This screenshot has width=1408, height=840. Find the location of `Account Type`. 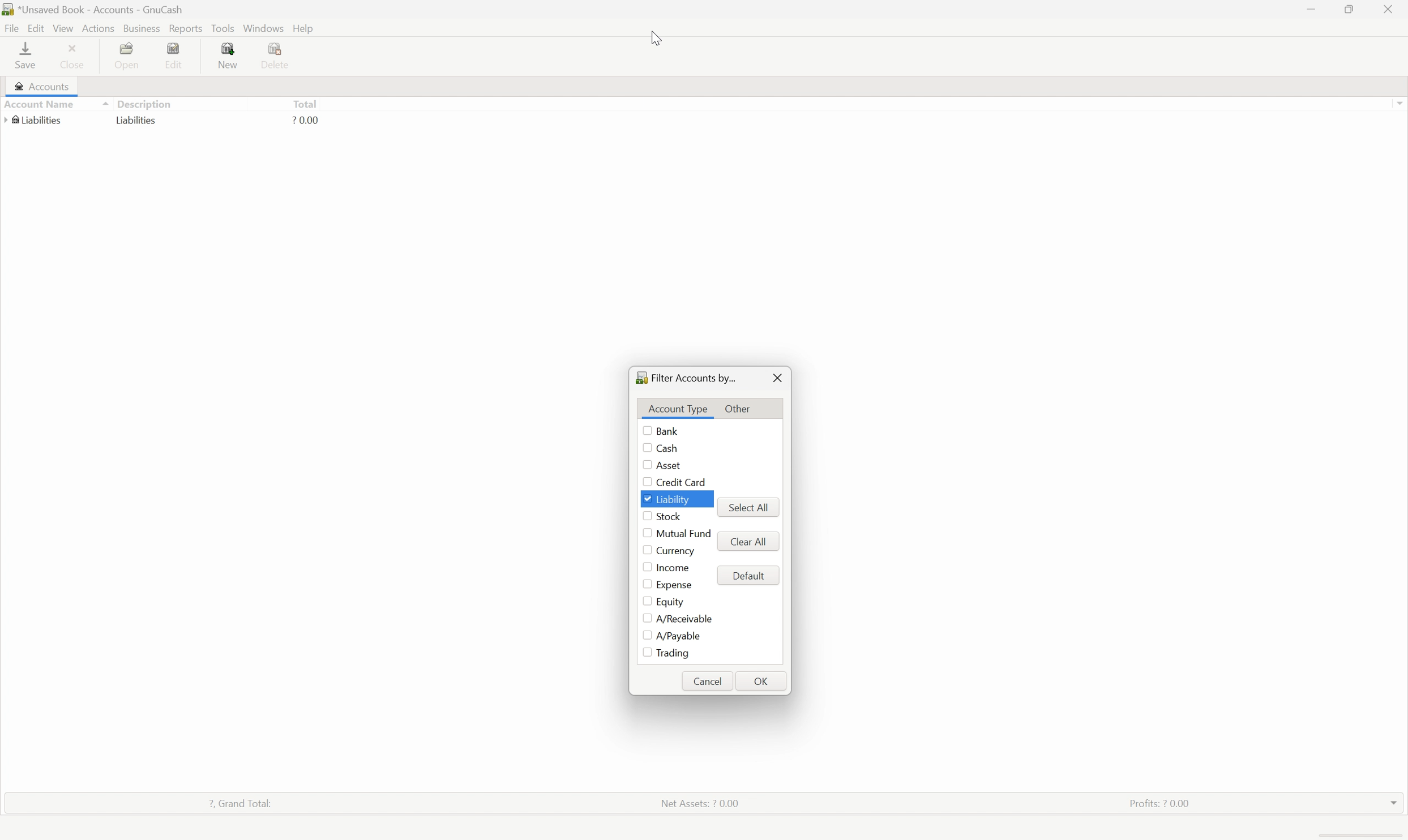

Account Type is located at coordinates (679, 408).